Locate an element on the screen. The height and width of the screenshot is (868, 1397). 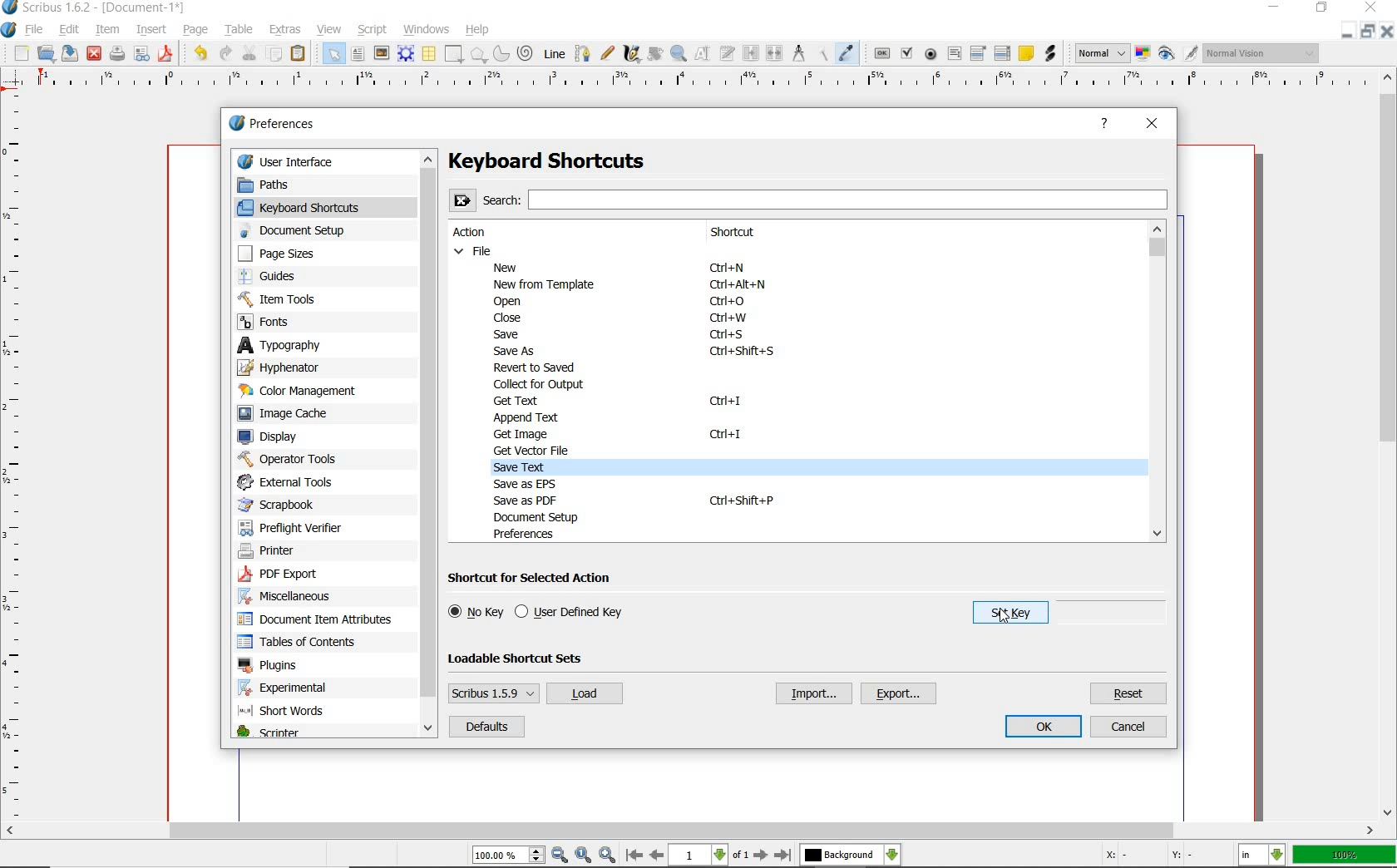
scripter is located at coordinates (268, 733).